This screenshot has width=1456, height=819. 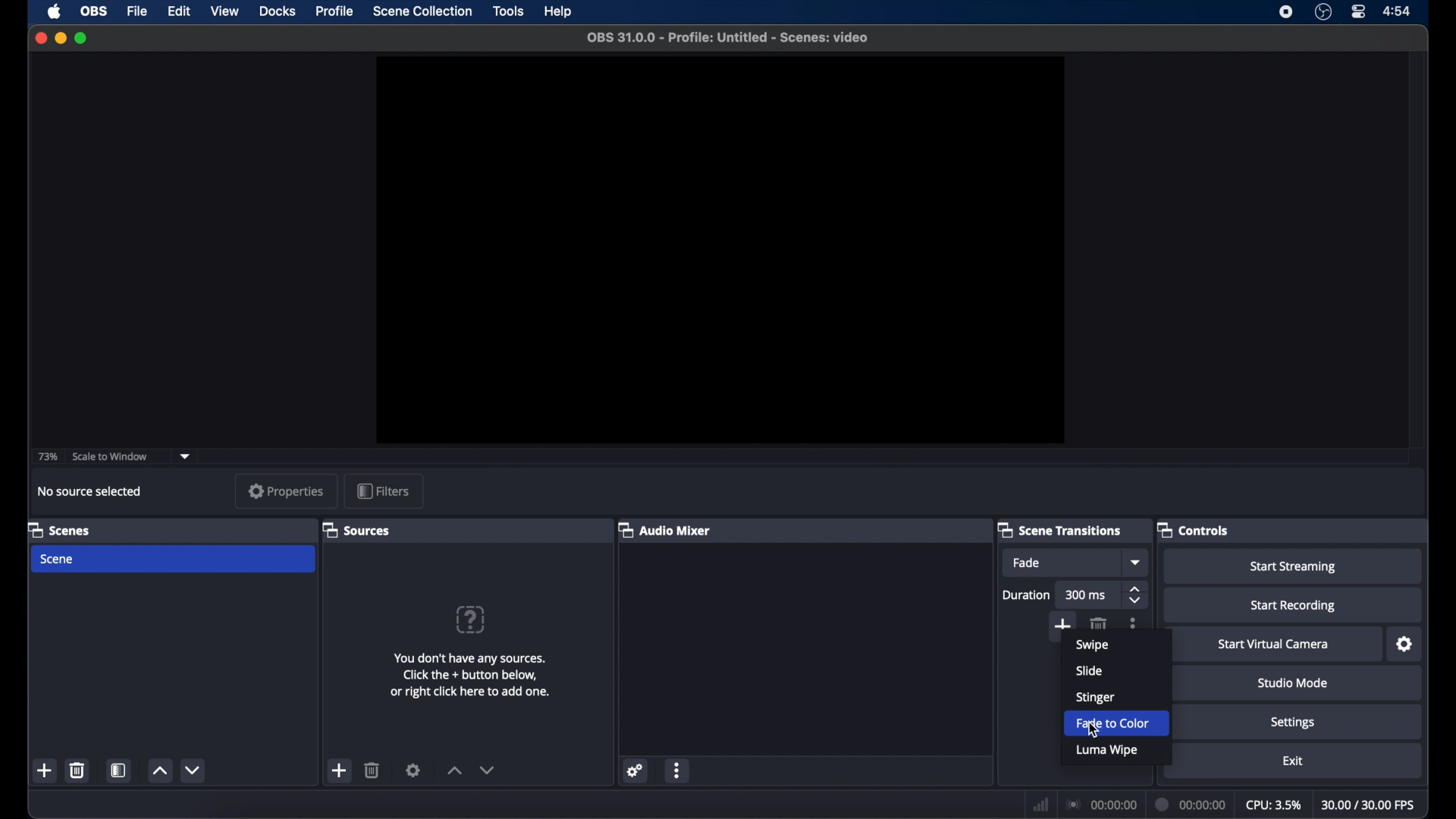 I want to click on filters, so click(x=382, y=491).